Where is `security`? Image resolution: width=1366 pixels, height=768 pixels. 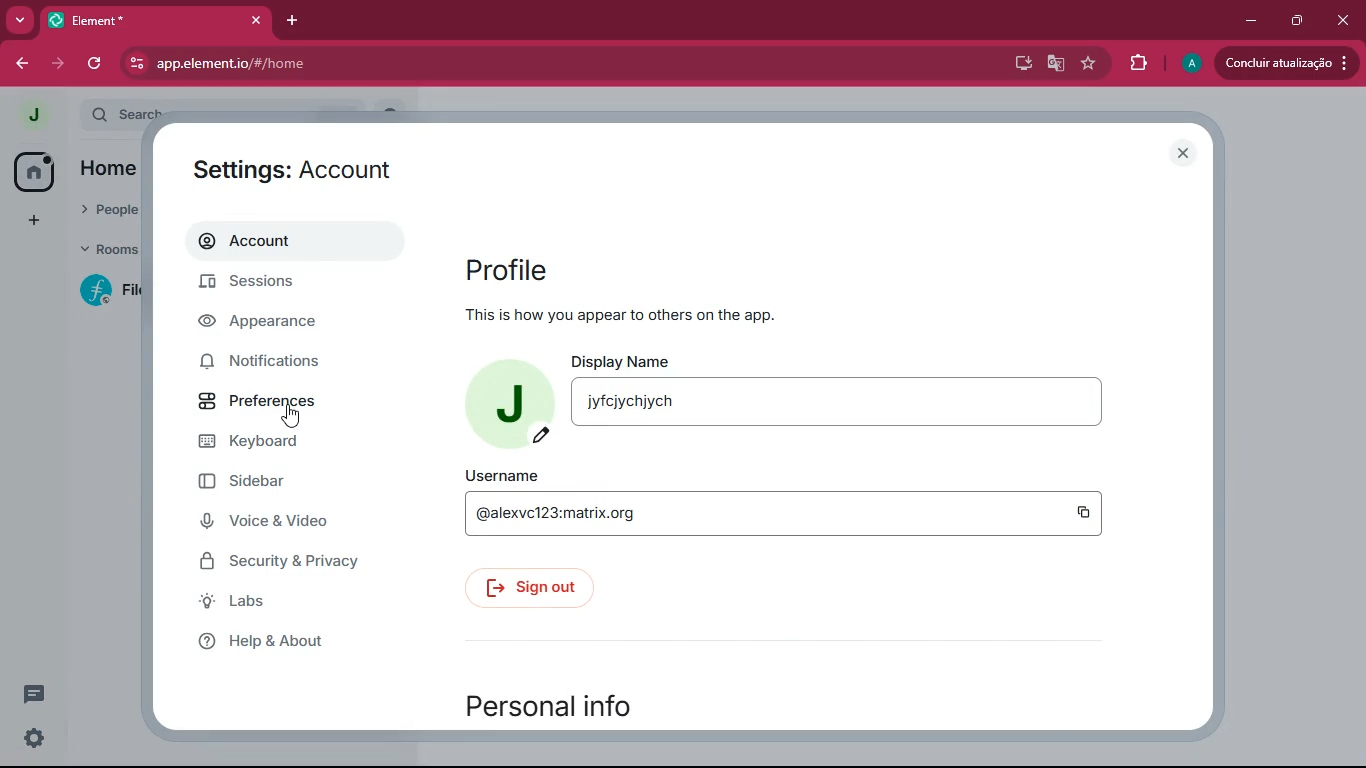 security is located at coordinates (296, 561).